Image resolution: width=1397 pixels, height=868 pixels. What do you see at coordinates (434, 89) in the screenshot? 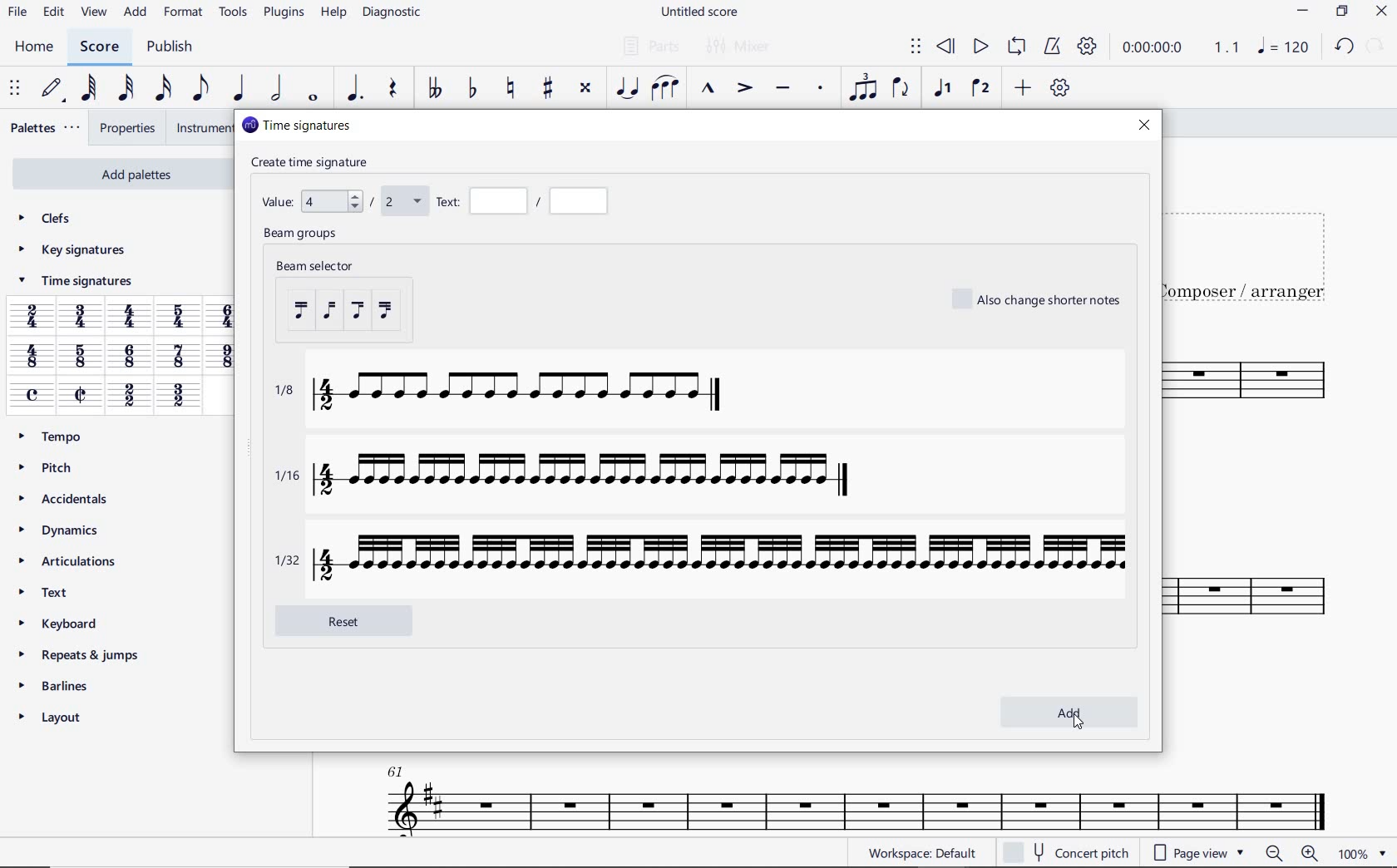
I see `TOGGLE-DOUBLE FLAT` at bounding box center [434, 89].